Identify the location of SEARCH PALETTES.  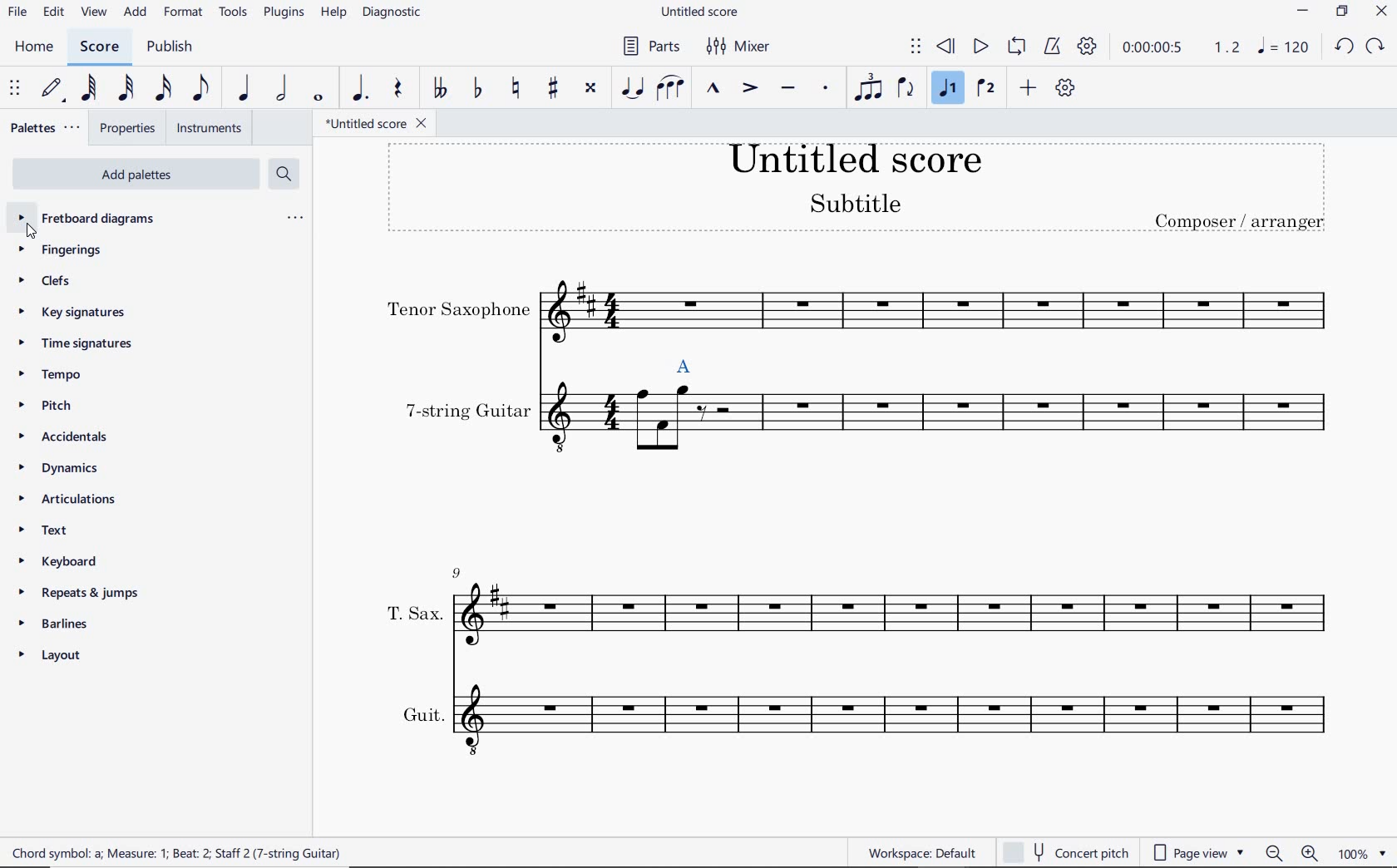
(284, 175).